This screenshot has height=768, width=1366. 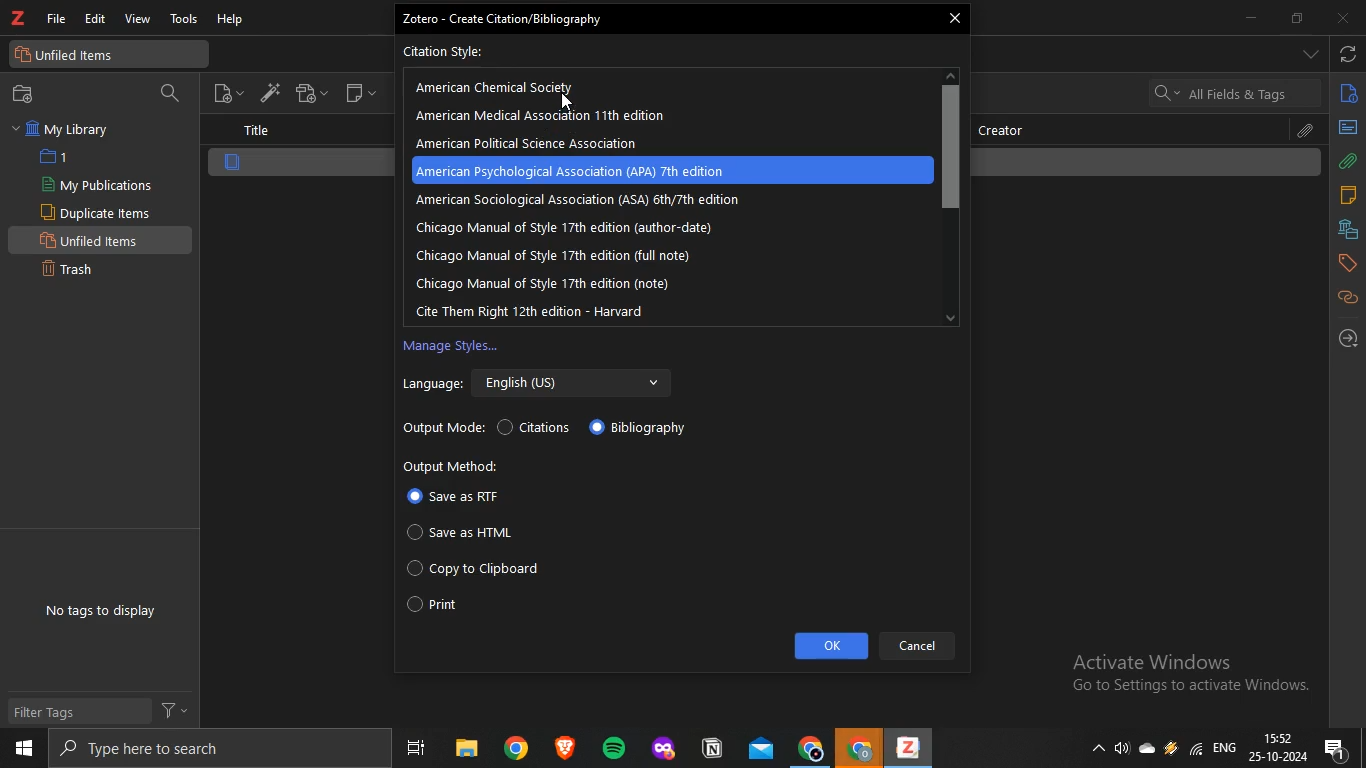 I want to click on Bibliography, so click(x=648, y=430).